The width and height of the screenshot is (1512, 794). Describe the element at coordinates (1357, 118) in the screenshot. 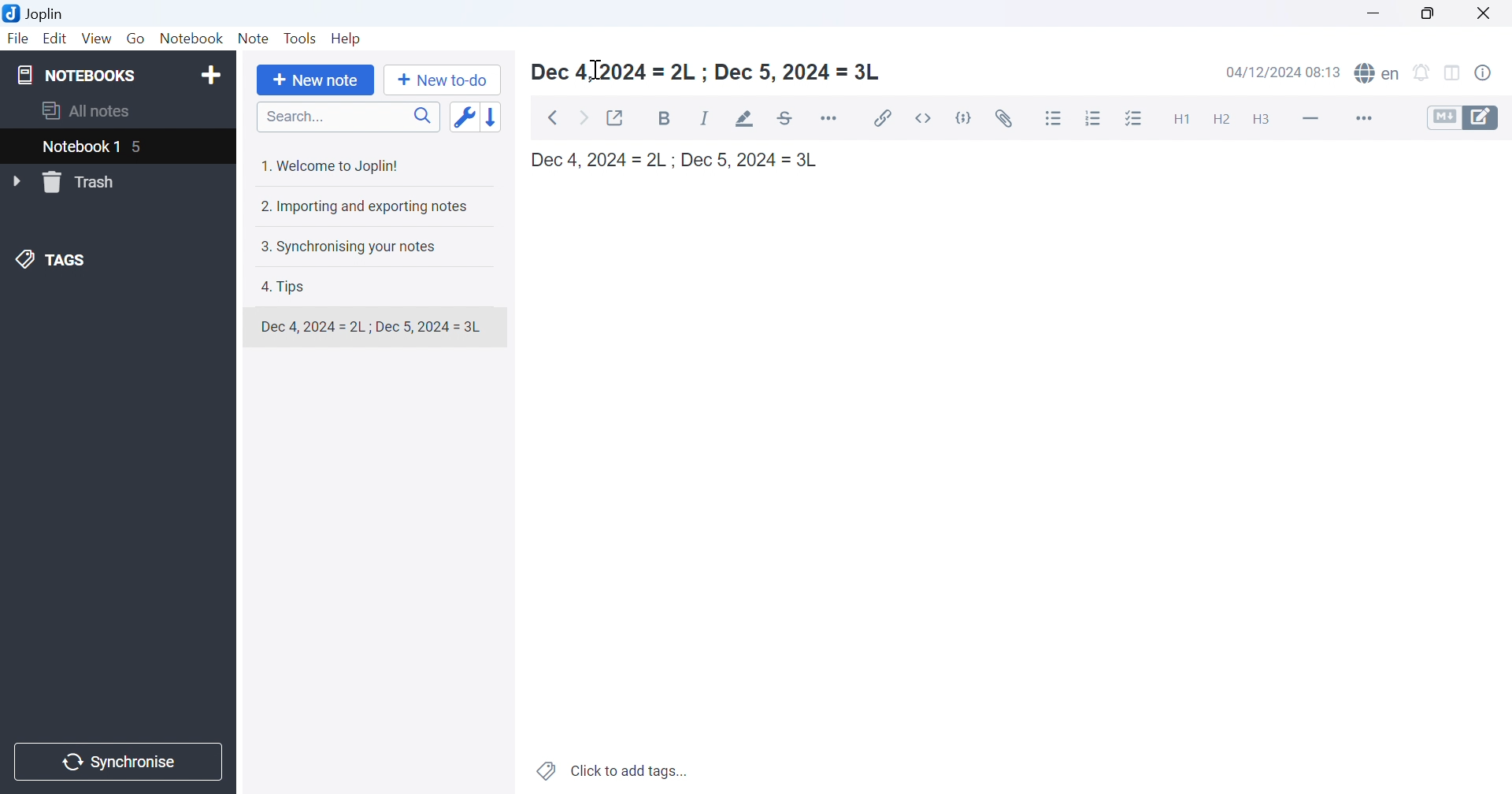

I see `More` at that location.